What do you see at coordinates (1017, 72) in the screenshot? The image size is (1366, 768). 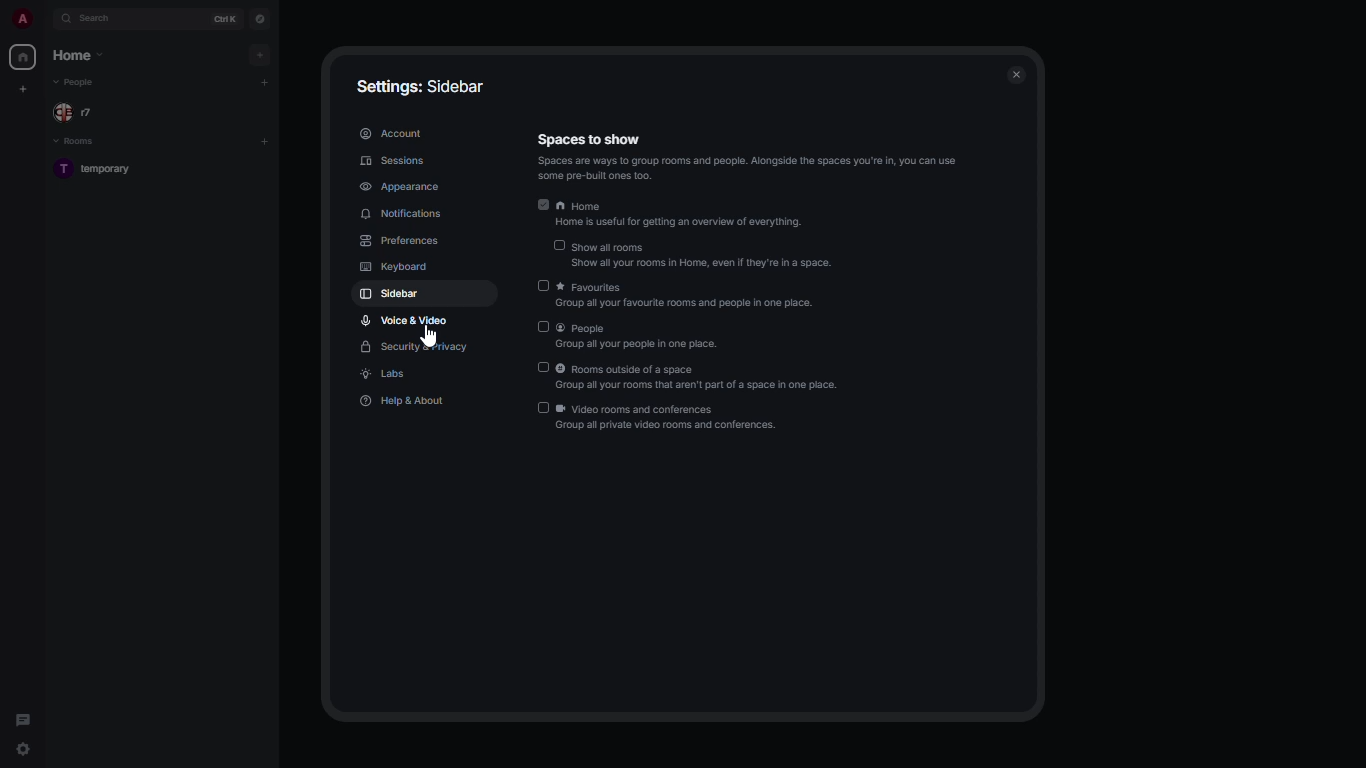 I see `close` at bounding box center [1017, 72].